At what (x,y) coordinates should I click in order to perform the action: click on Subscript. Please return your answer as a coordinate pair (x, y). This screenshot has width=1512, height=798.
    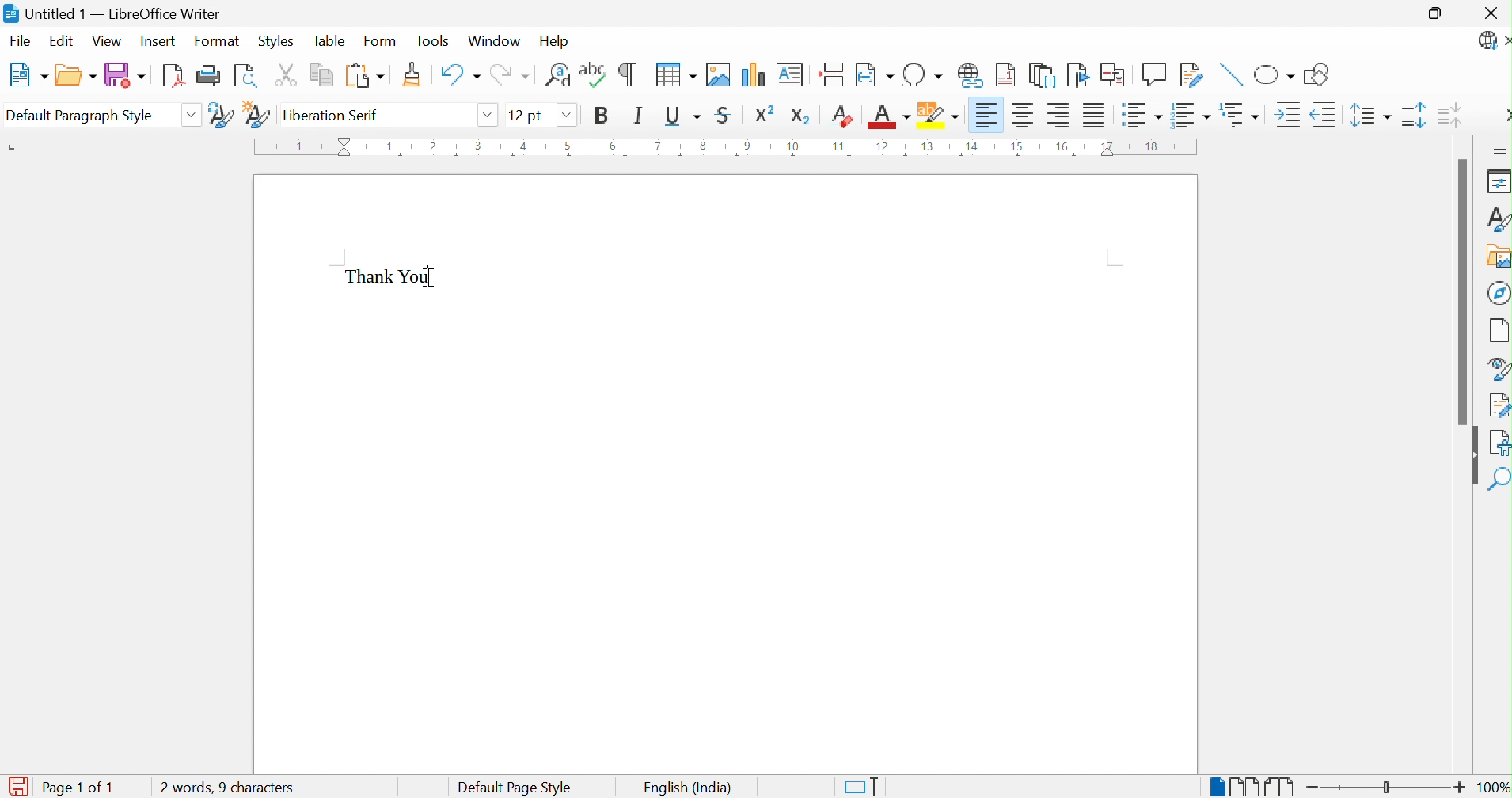
    Looking at the image, I should click on (801, 116).